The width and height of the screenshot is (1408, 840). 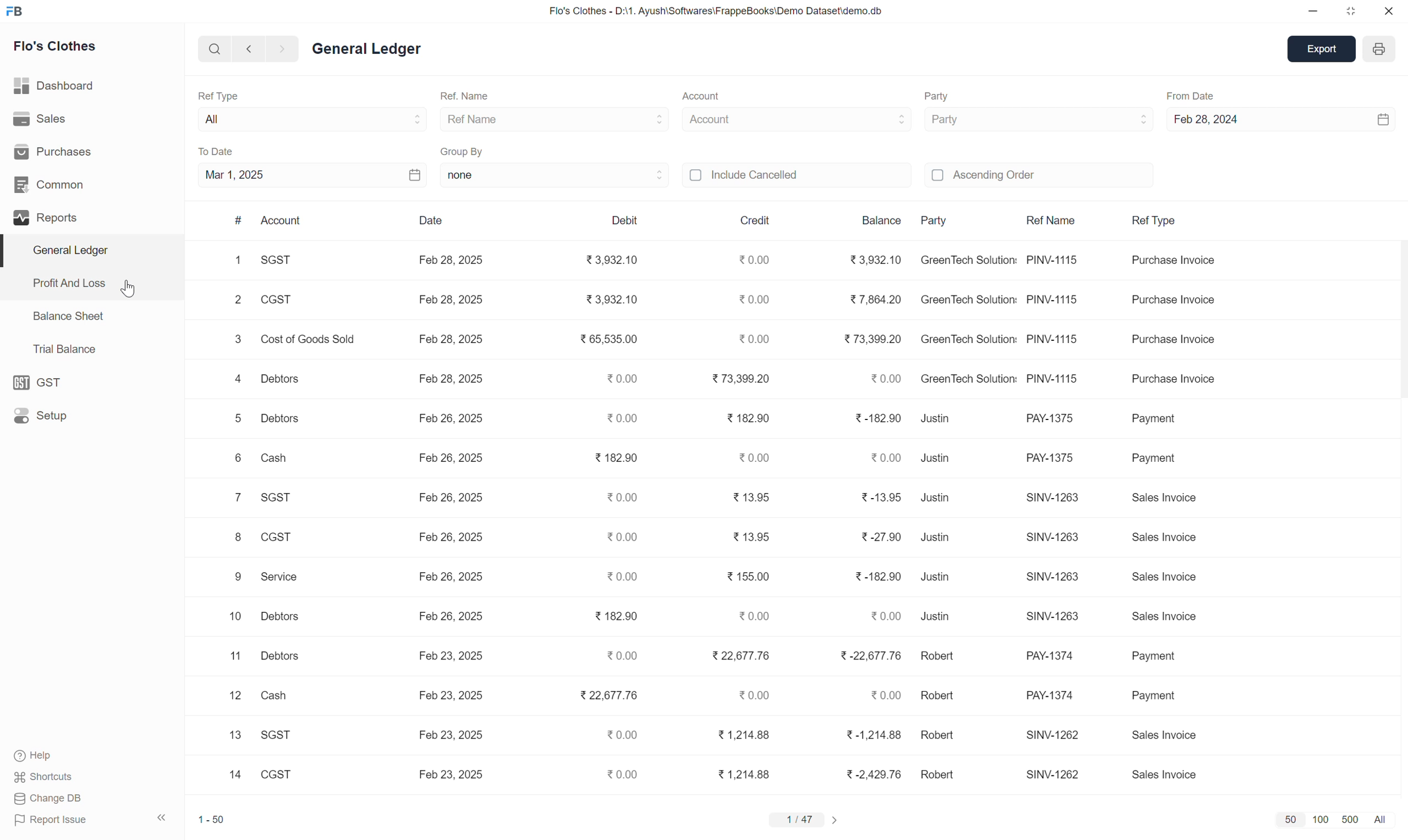 I want to click on Feb 28, 2025, so click(x=449, y=299).